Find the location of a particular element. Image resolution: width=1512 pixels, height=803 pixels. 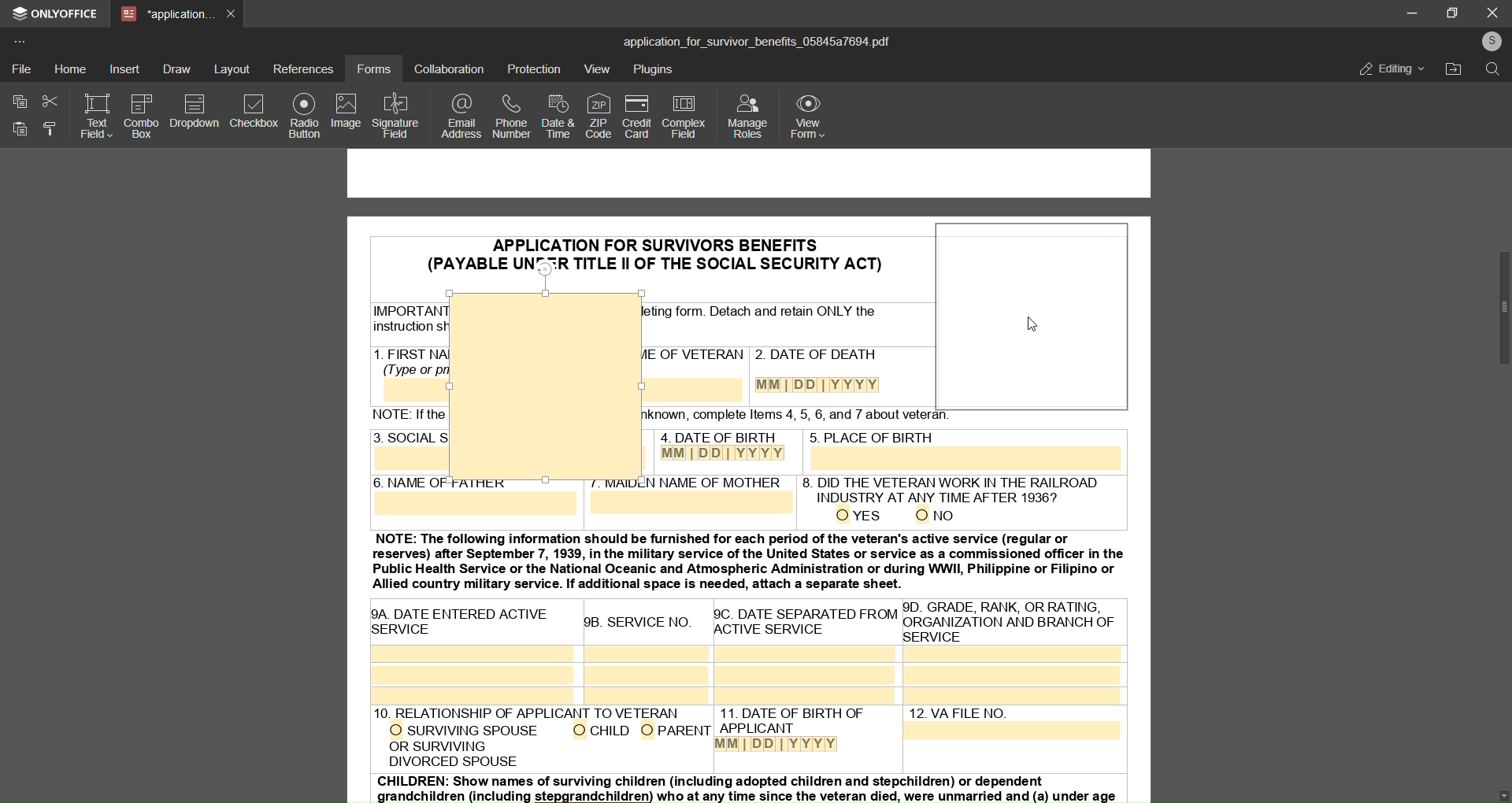

editing is located at coordinates (1382, 68).